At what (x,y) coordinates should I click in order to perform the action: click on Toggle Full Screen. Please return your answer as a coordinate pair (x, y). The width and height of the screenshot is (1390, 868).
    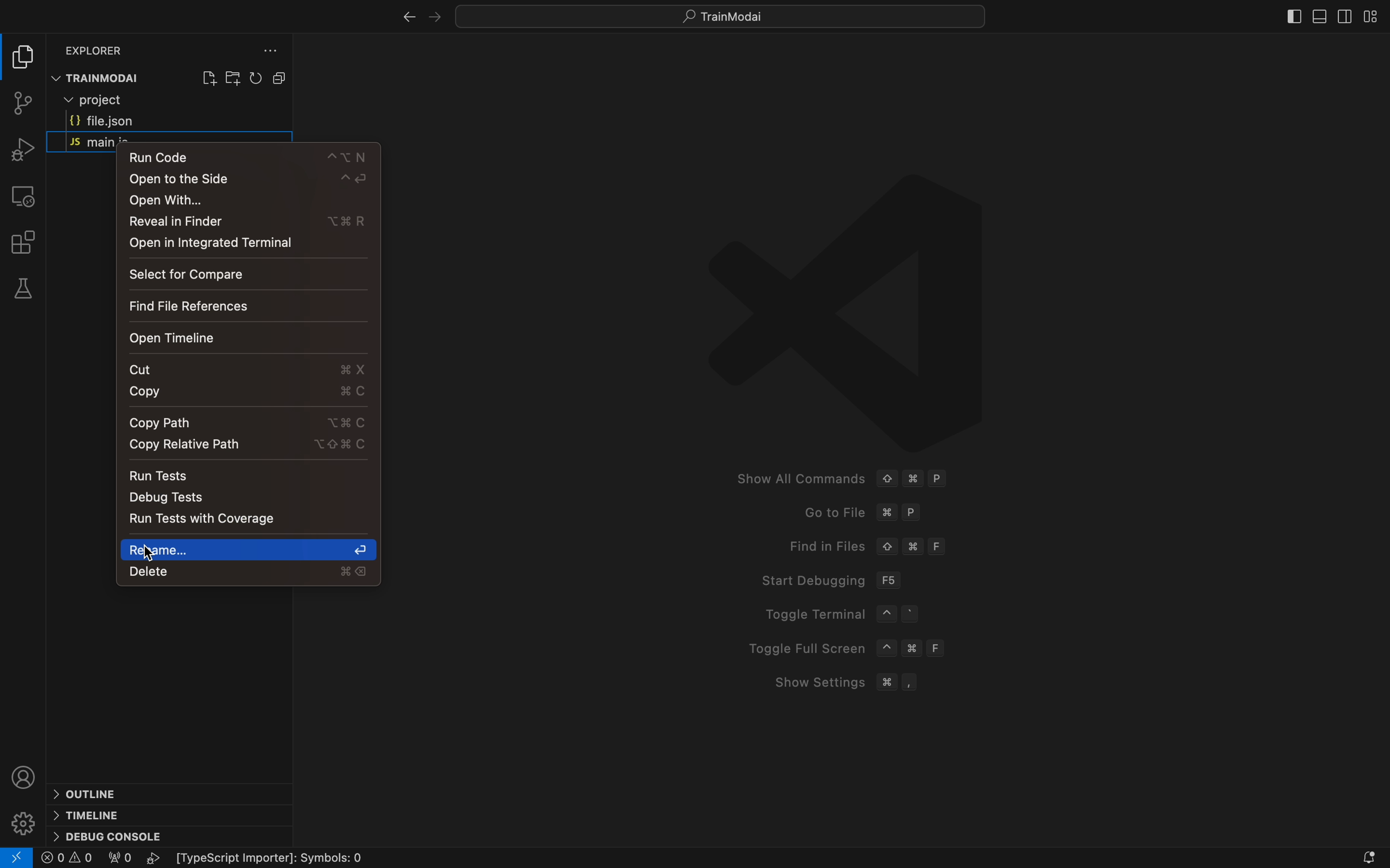
    Looking at the image, I should click on (842, 645).